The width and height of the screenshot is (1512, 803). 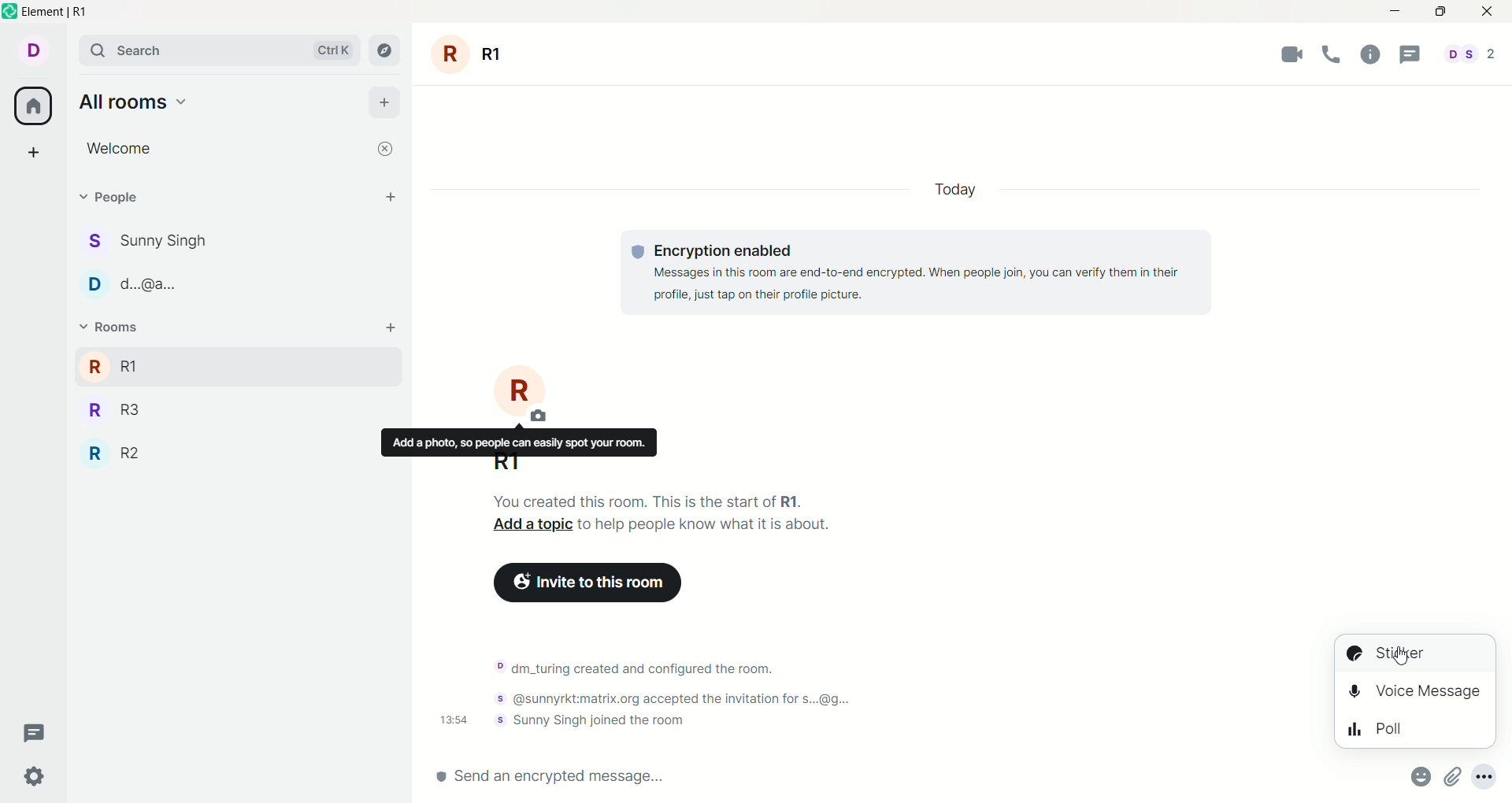 What do you see at coordinates (519, 441) in the screenshot?
I see `Text description of function of button above` at bounding box center [519, 441].